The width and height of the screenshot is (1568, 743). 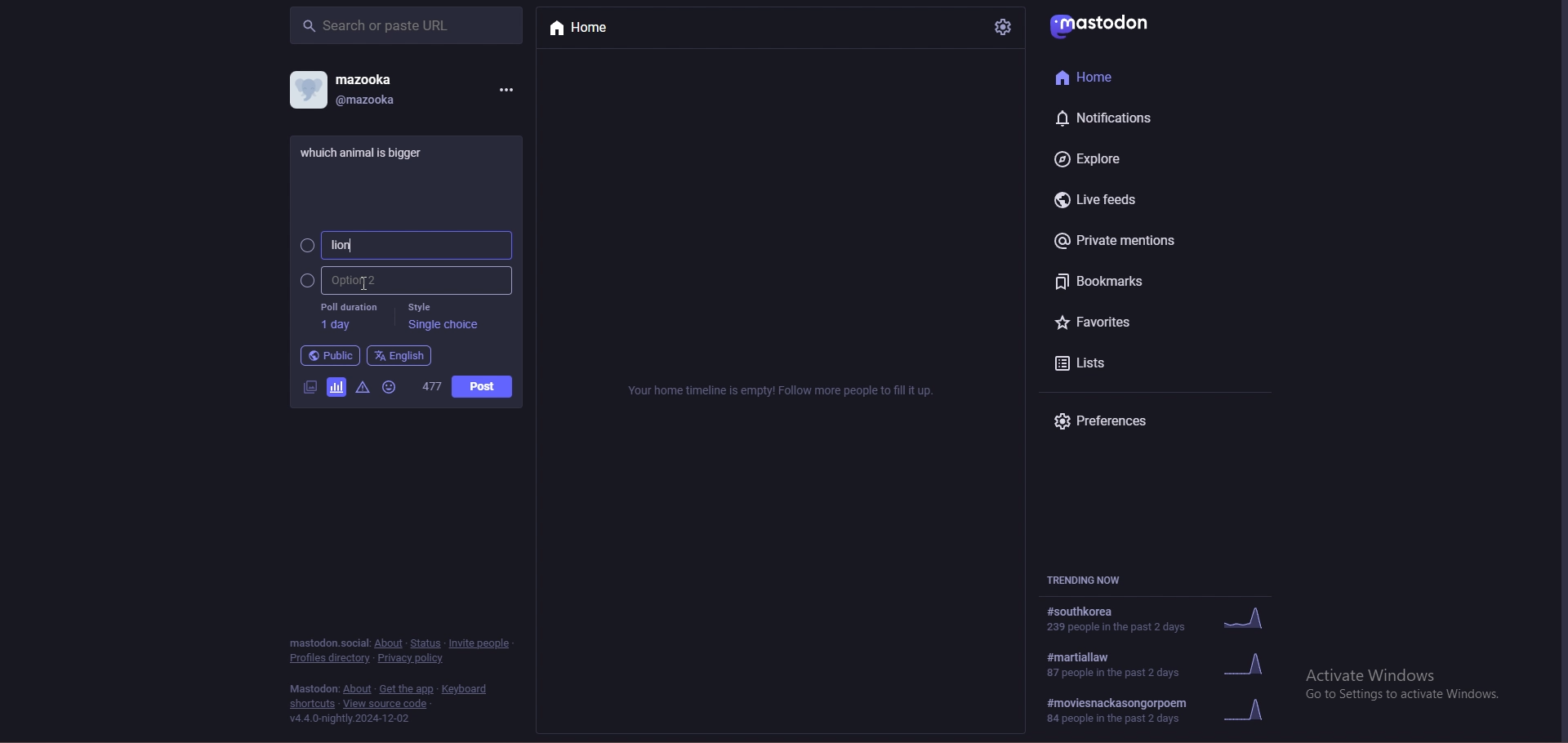 What do you see at coordinates (467, 689) in the screenshot?
I see `keyboard` at bounding box center [467, 689].